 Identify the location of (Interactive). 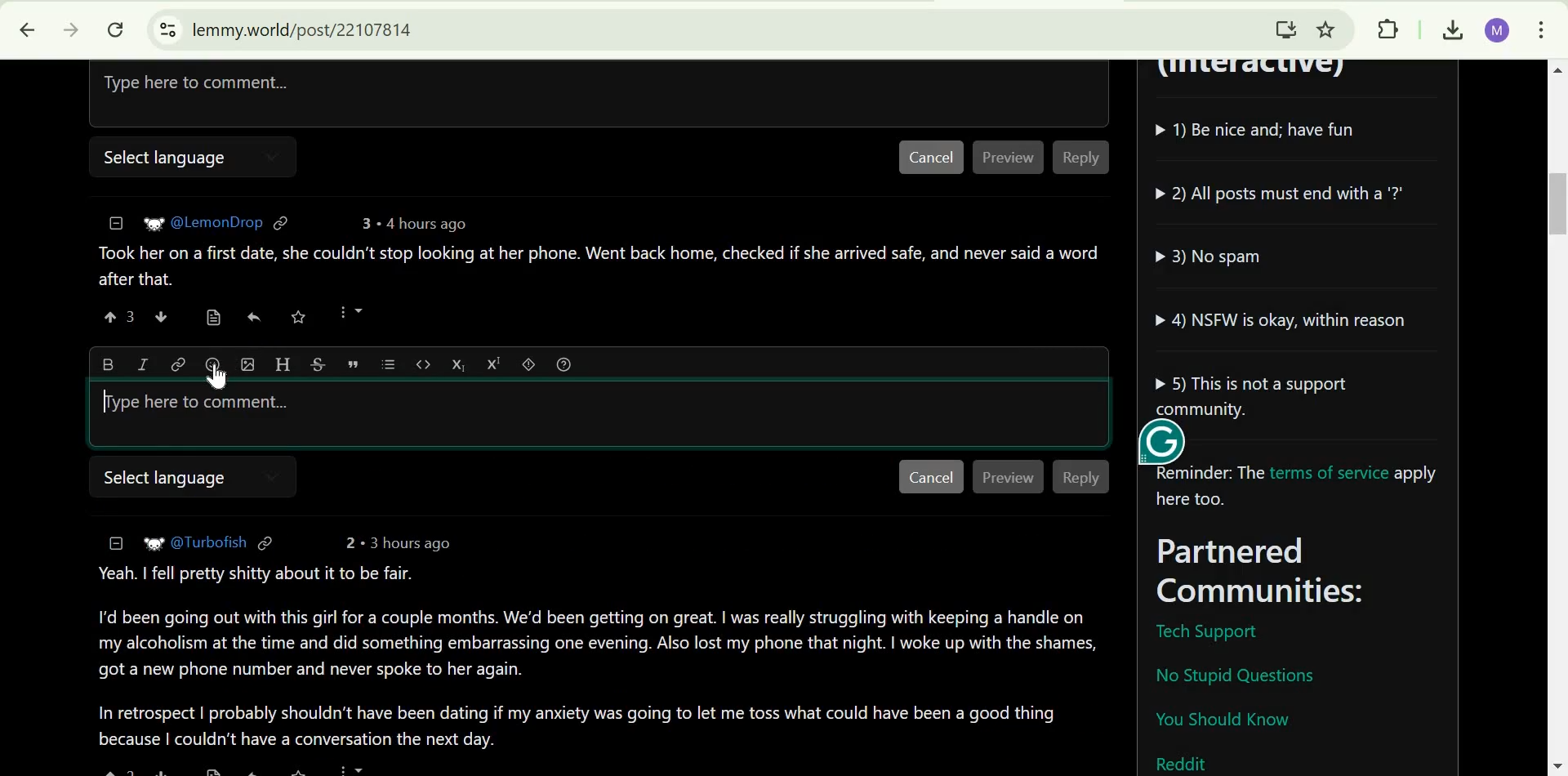
(1258, 74).